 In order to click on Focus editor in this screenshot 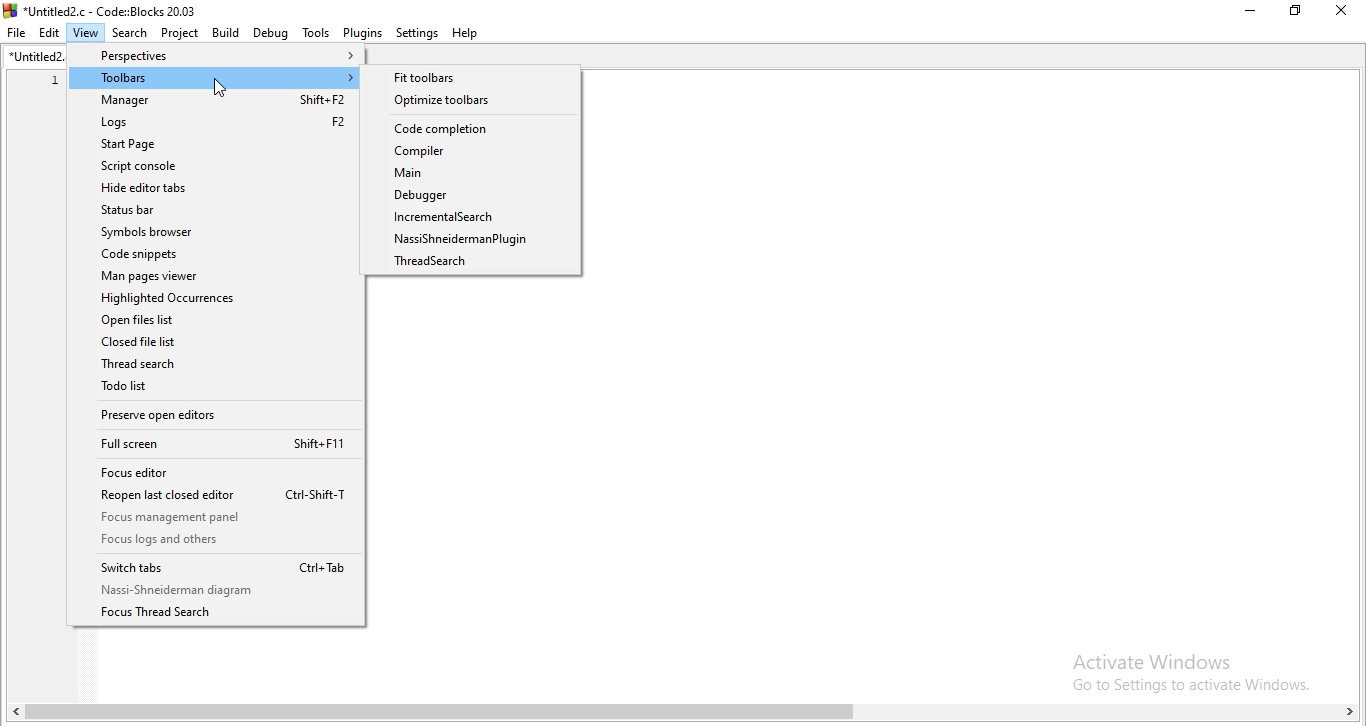, I will do `click(219, 474)`.